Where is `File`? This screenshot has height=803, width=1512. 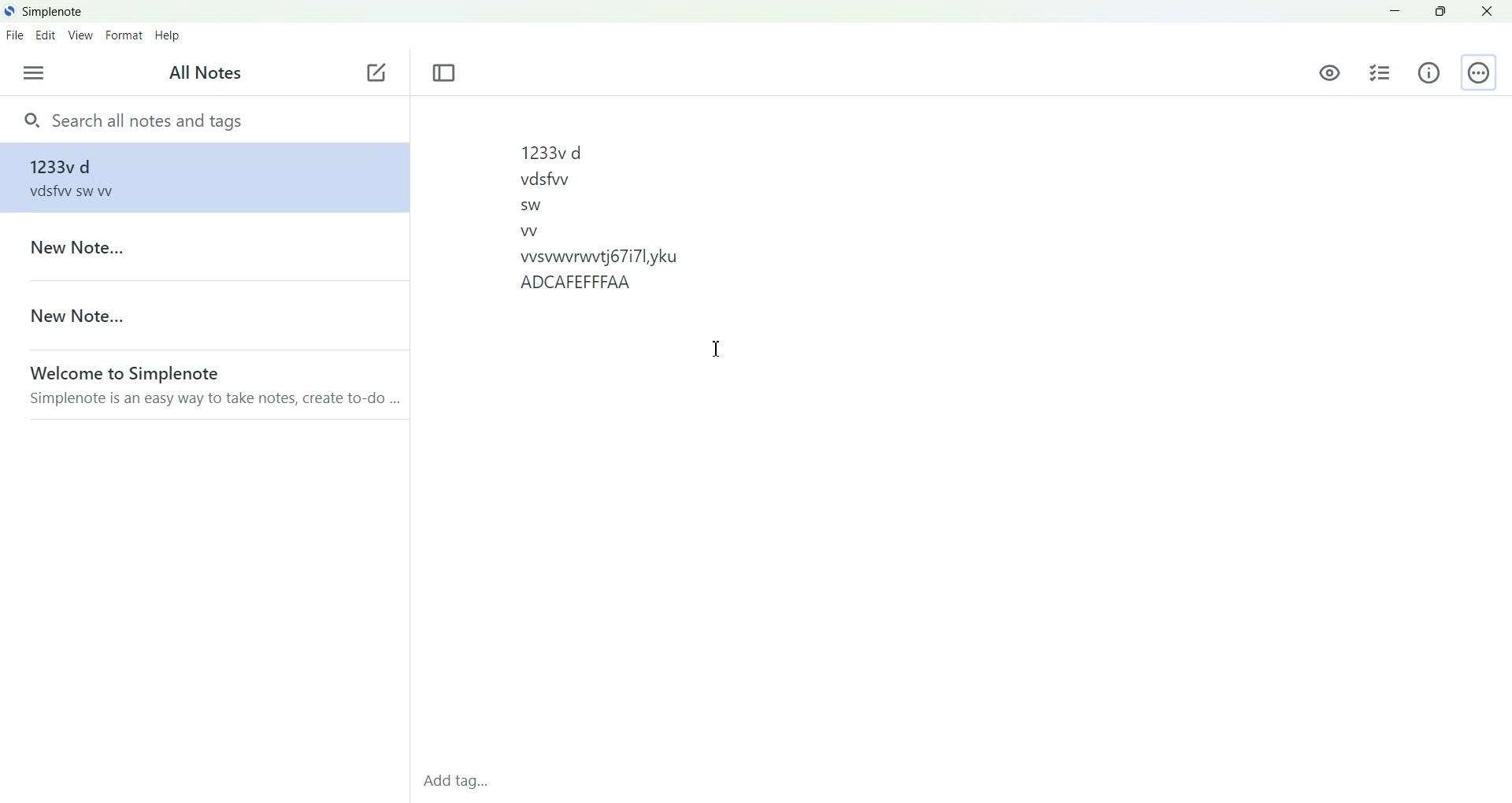 File is located at coordinates (15, 35).